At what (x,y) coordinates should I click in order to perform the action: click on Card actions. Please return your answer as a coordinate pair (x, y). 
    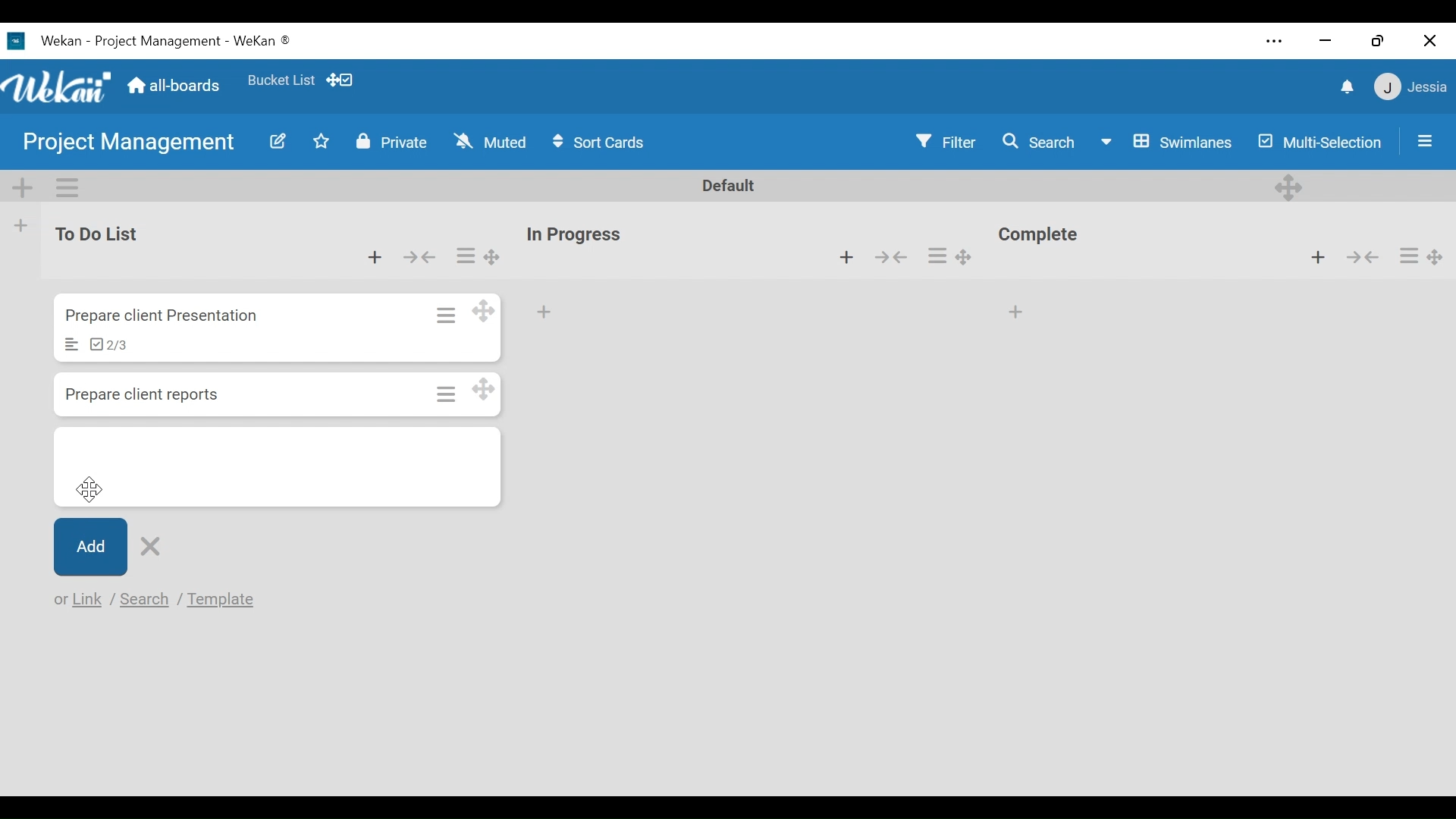
    Looking at the image, I should click on (466, 255).